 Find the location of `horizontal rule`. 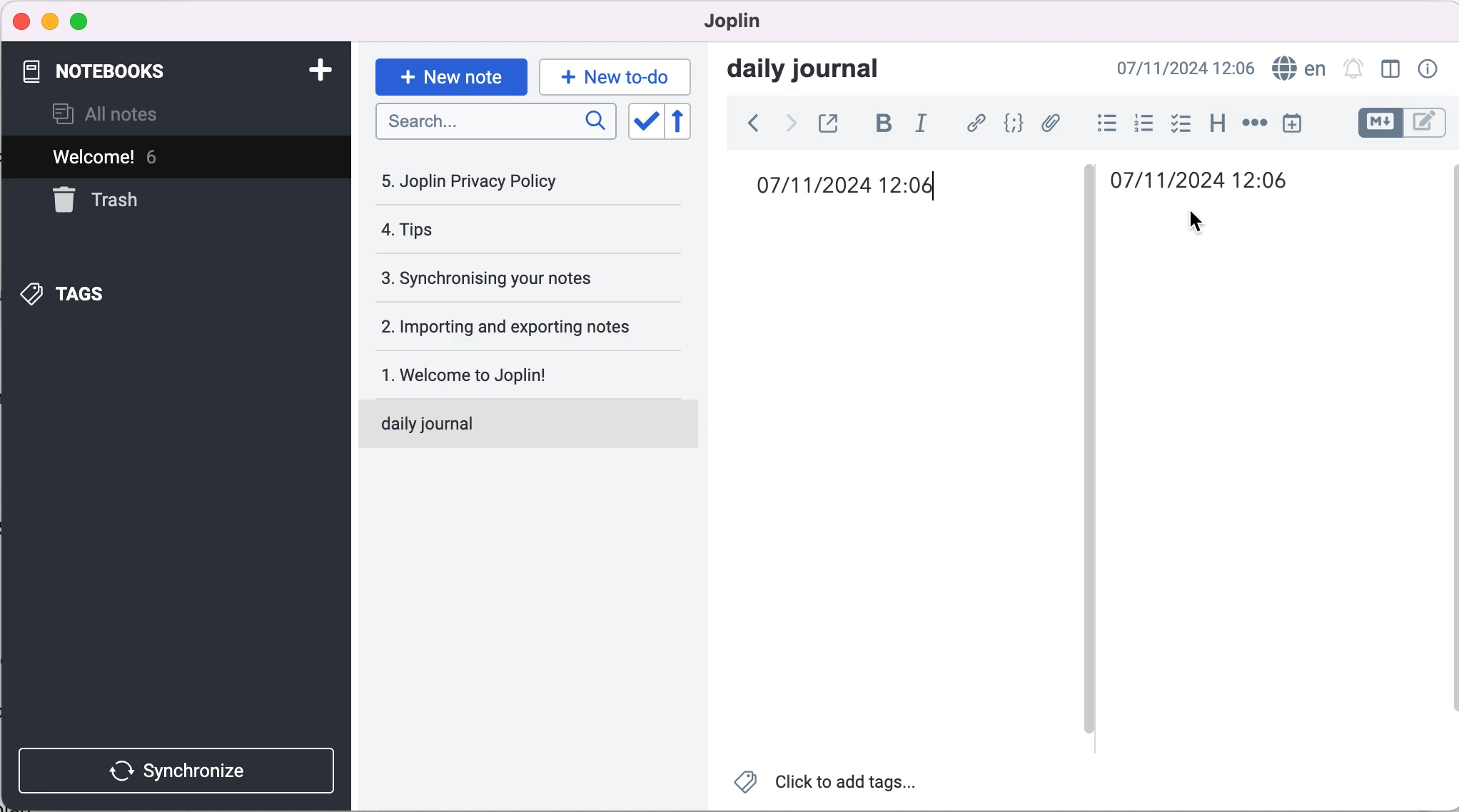

horizontal rule is located at coordinates (1252, 123).